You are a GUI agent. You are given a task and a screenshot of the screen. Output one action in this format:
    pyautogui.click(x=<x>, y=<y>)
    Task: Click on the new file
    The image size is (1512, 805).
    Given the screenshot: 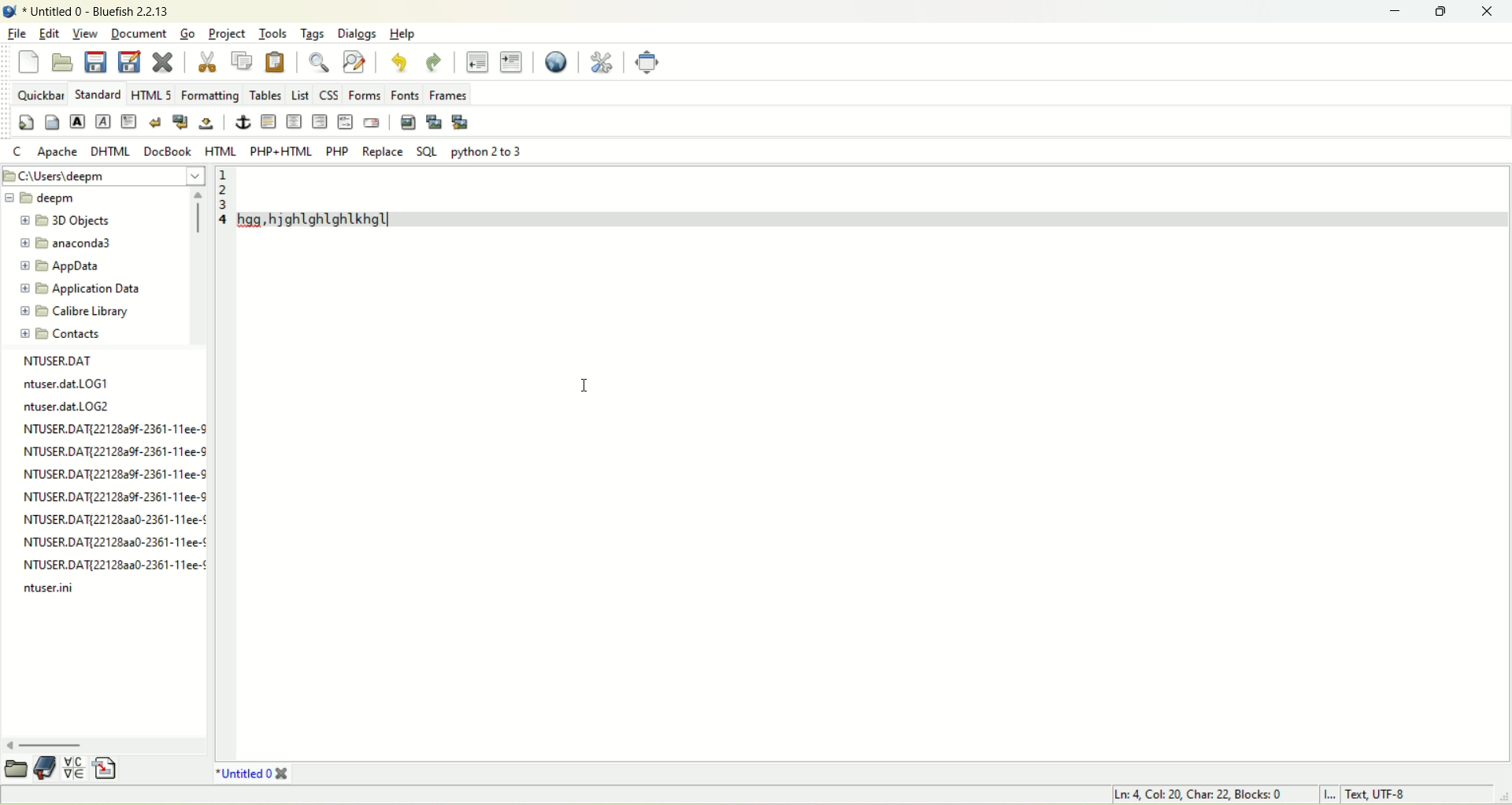 What is the action you would take?
    pyautogui.click(x=30, y=62)
    